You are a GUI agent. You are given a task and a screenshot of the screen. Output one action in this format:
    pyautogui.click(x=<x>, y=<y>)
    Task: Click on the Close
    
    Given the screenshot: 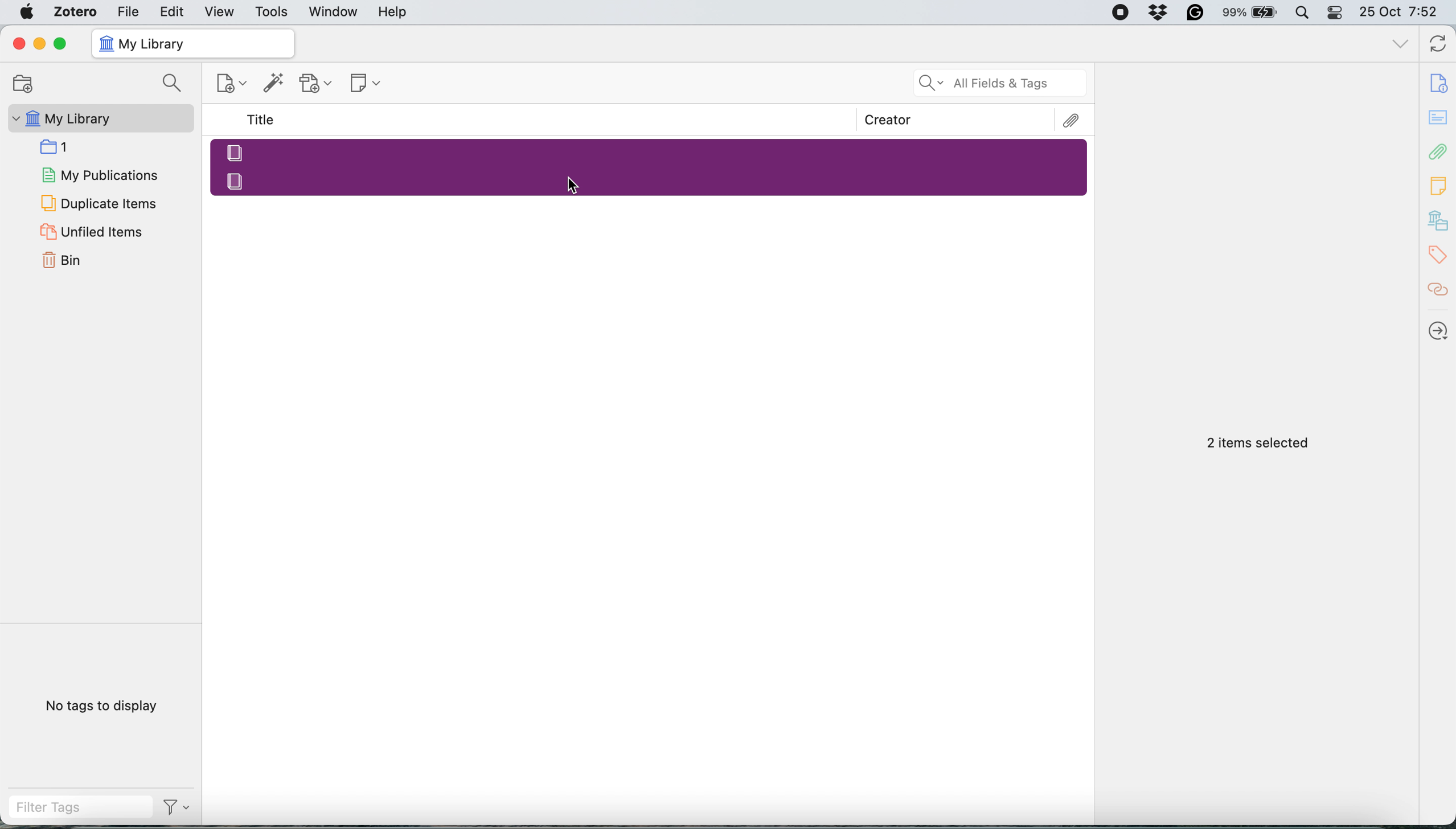 What is the action you would take?
    pyautogui.click(x=18, y=43)
    